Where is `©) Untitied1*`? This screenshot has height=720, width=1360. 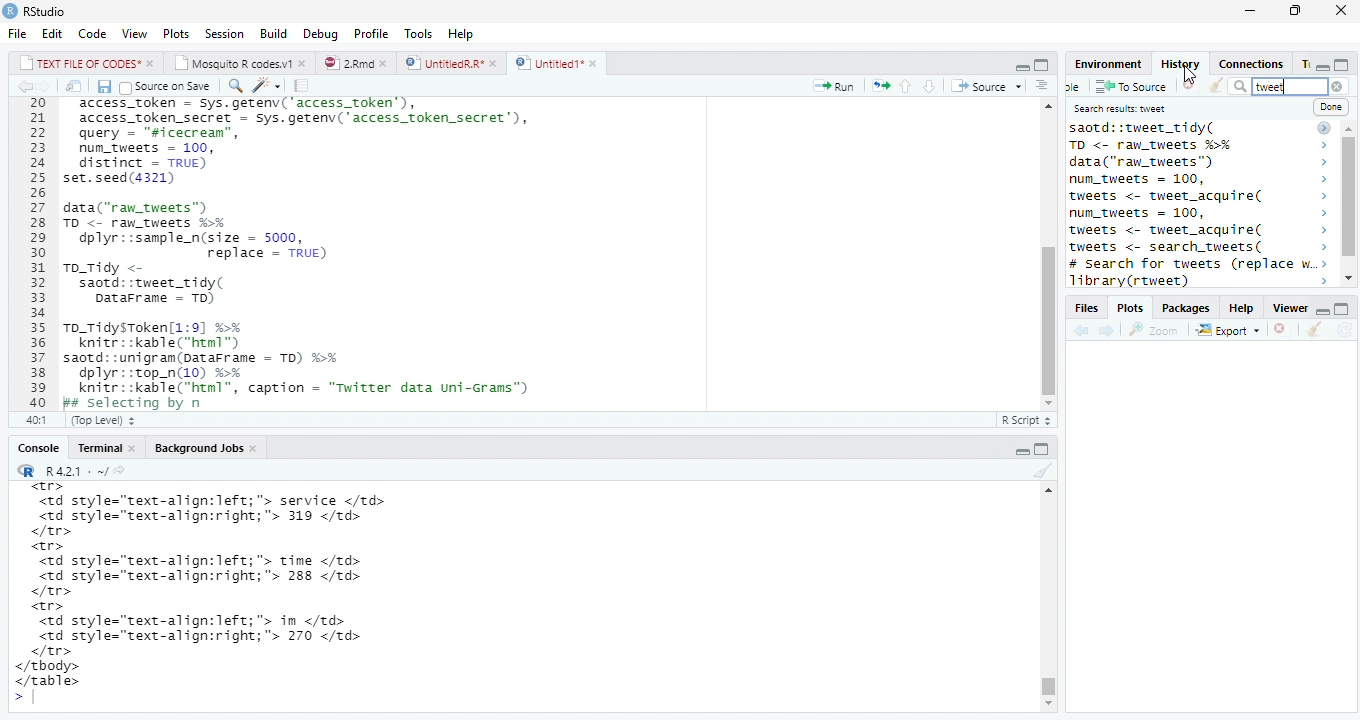 ©) Untitied1* is located at coordinates (563, 64).